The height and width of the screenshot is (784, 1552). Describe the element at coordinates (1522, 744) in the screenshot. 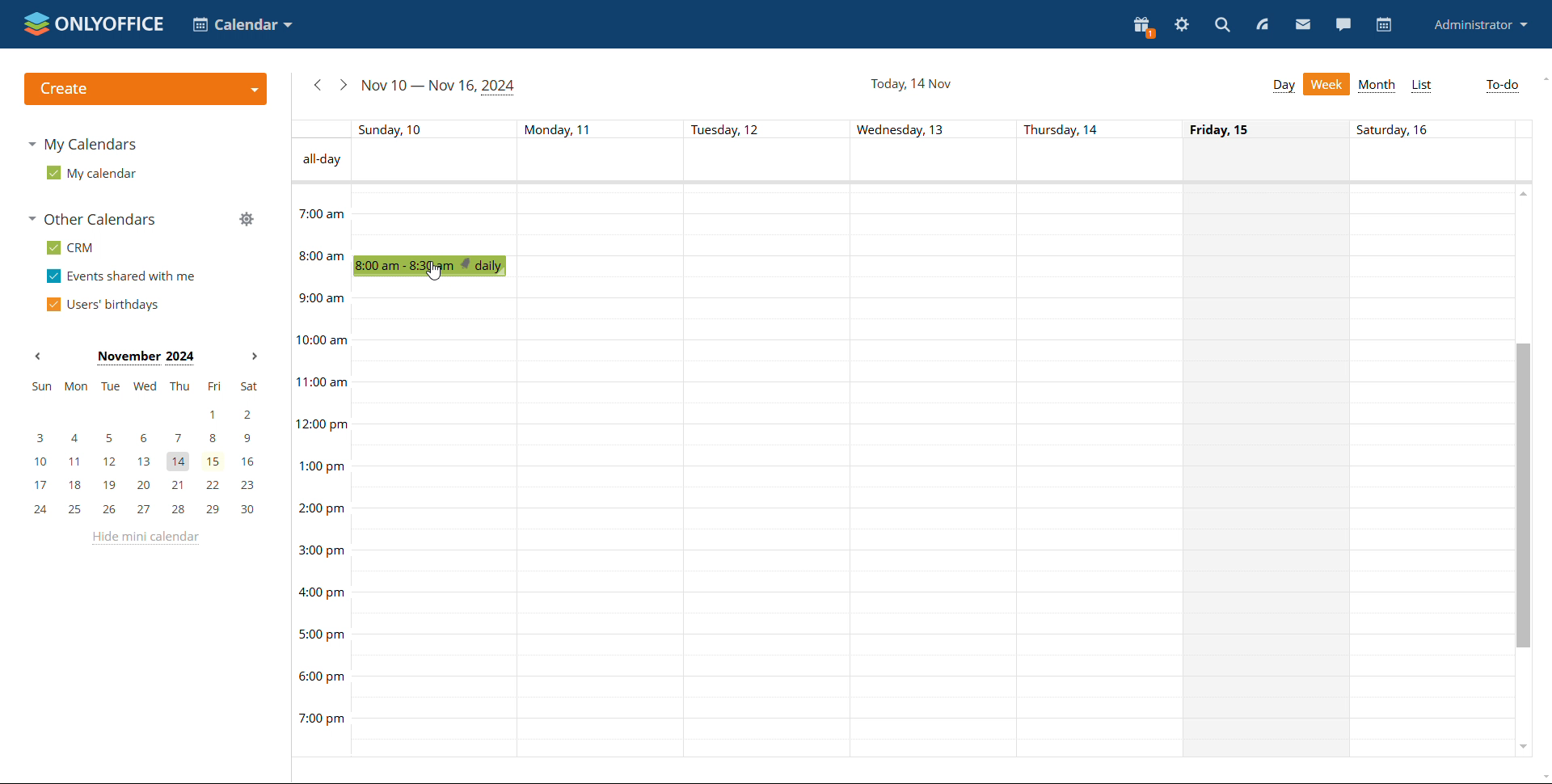

I see `scroll down` at that location.